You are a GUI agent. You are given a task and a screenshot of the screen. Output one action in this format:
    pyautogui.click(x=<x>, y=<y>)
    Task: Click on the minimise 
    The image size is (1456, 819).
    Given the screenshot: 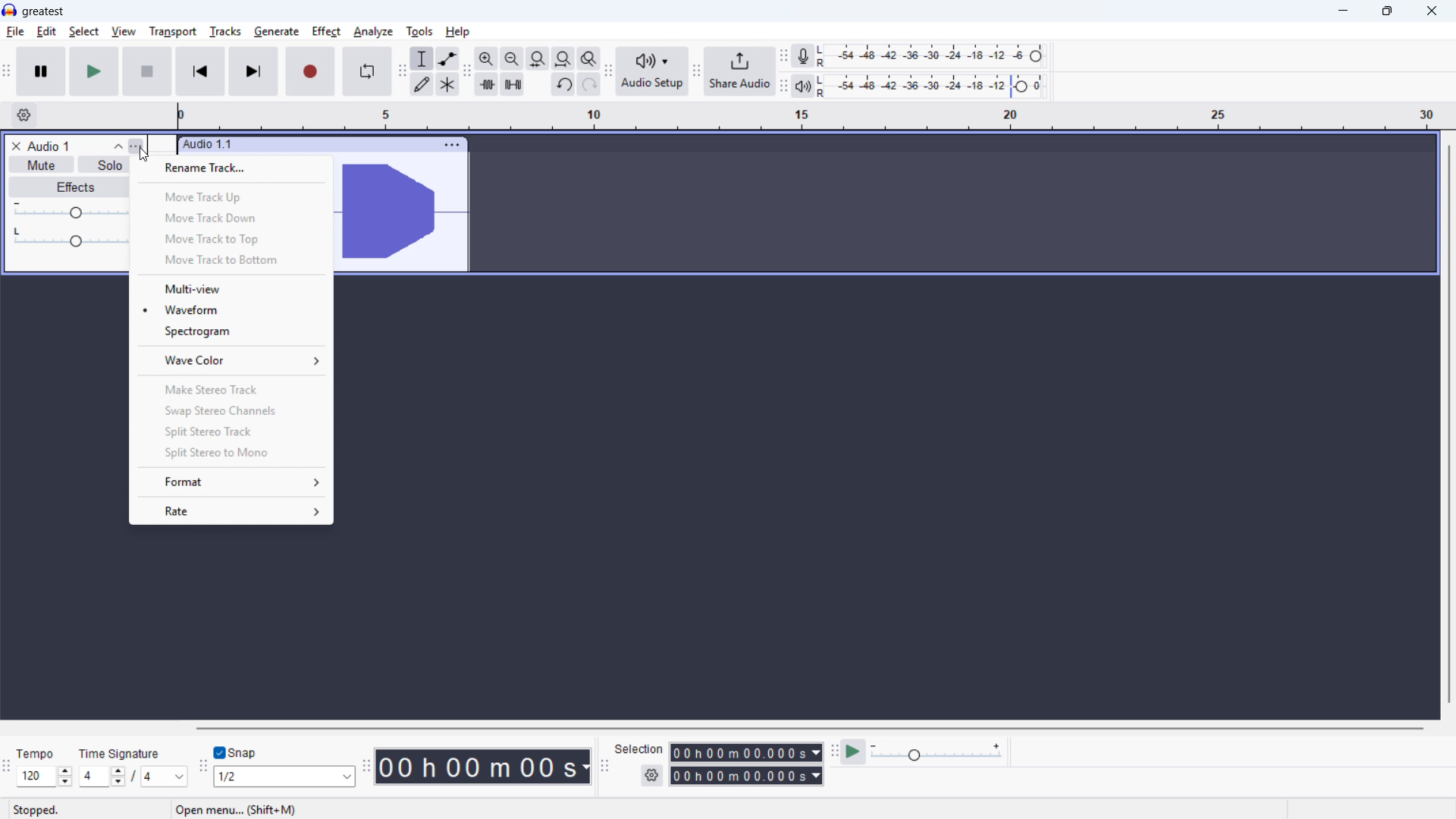 What is the action you would take?
    pyautogui.click(x=1342, y=11)
    